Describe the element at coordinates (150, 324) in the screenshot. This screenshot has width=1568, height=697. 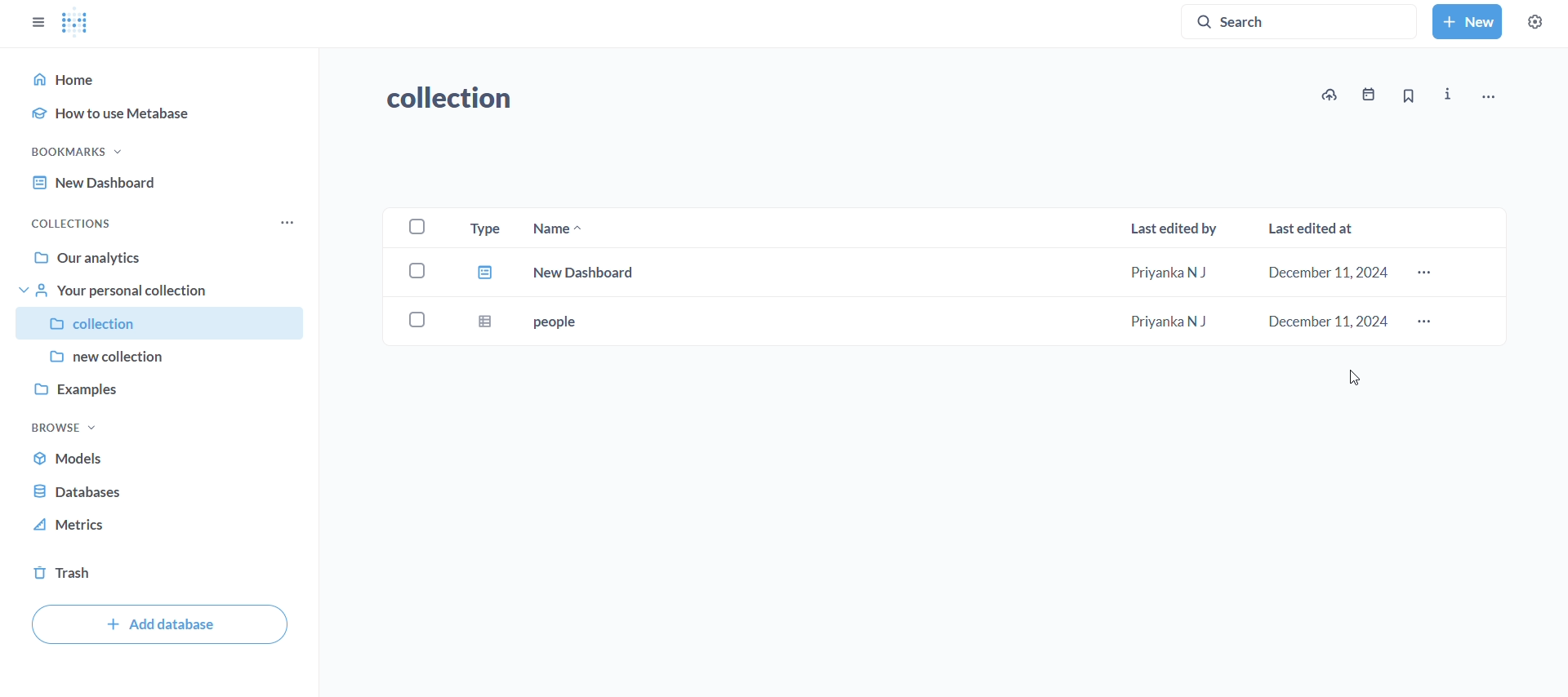
I see `collection` at that location.